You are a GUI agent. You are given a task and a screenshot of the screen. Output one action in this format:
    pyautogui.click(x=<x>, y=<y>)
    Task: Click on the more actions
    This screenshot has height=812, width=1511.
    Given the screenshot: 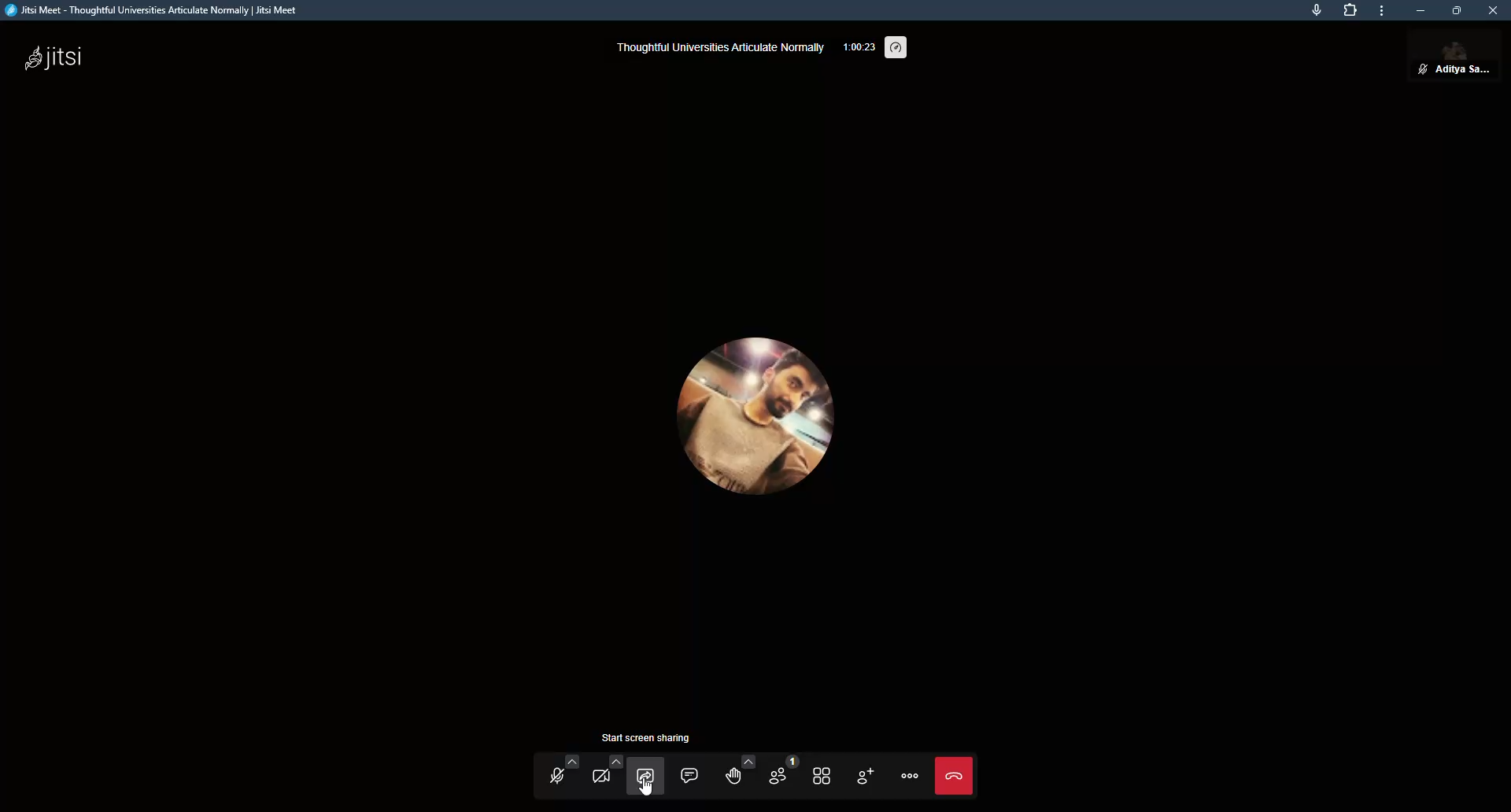 What is the action you would take?
    pyautogui.click(x=910, y=777)
    